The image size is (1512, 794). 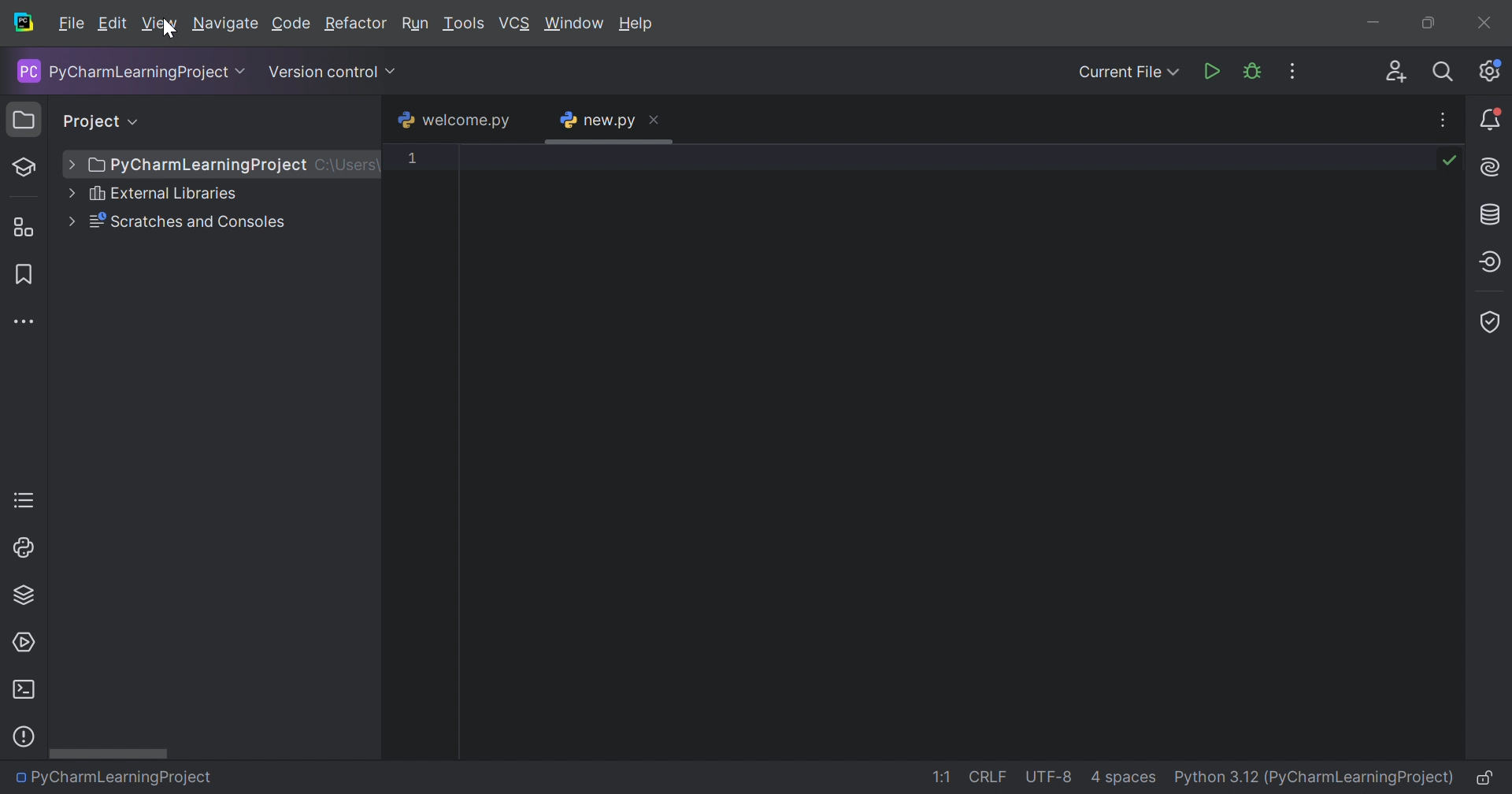 I want to click on Window, so click(x=576, y=24).